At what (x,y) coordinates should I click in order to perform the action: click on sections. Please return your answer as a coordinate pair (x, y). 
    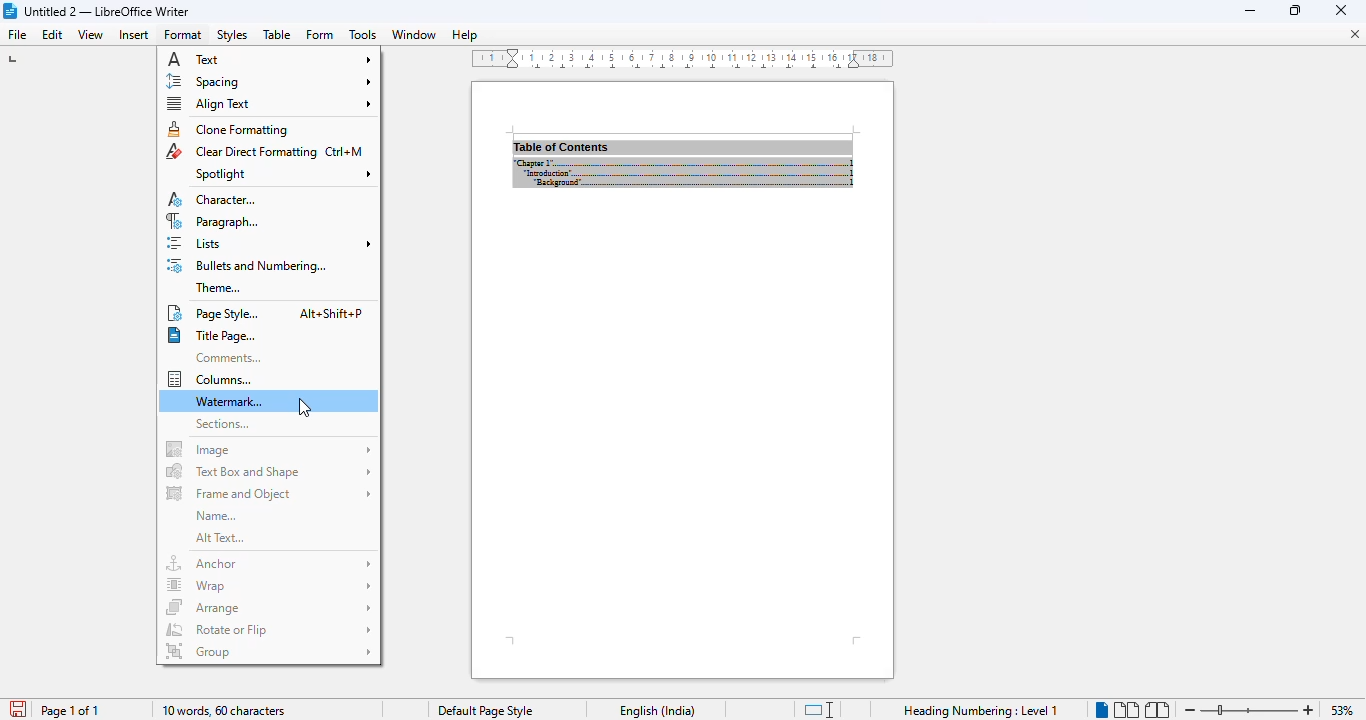
    Looking at the image, I should click on (223, 423).